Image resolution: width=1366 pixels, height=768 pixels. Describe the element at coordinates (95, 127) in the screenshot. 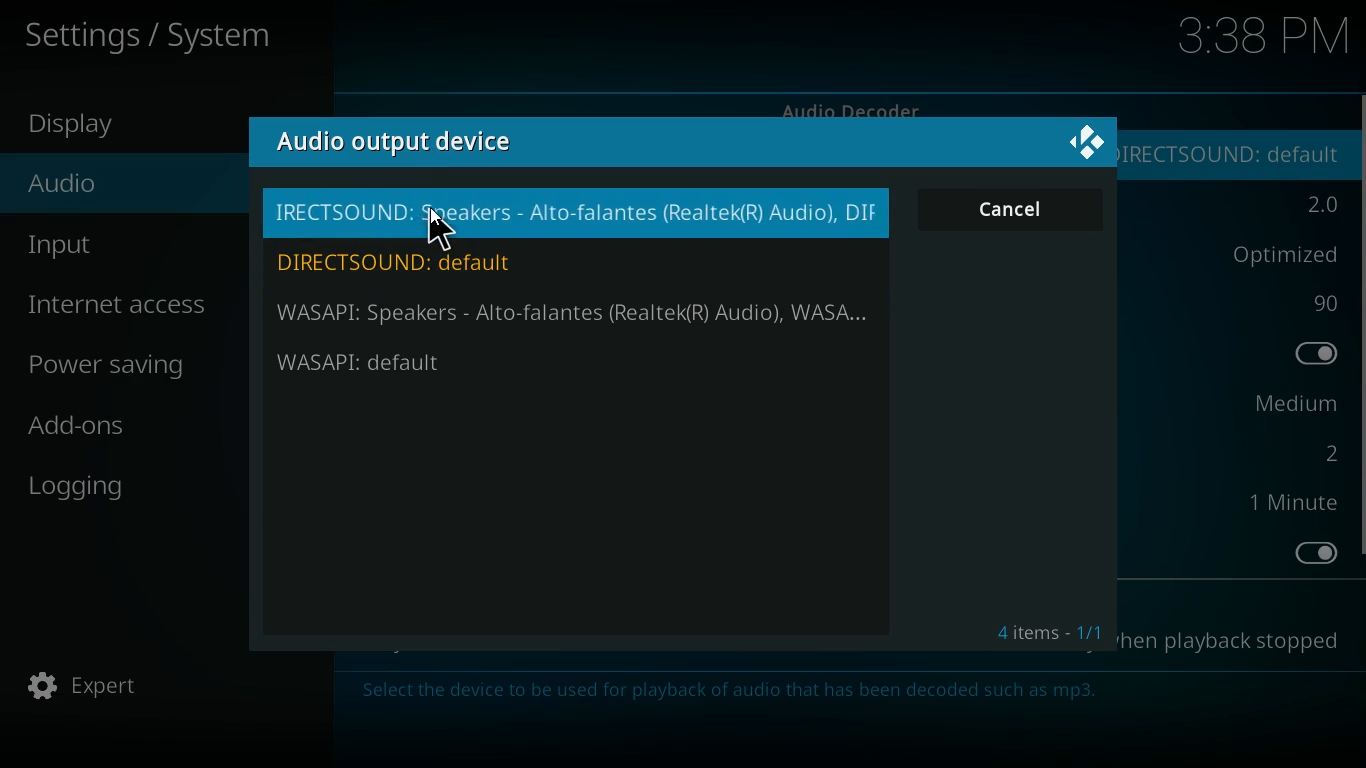

I see `display` at that location.